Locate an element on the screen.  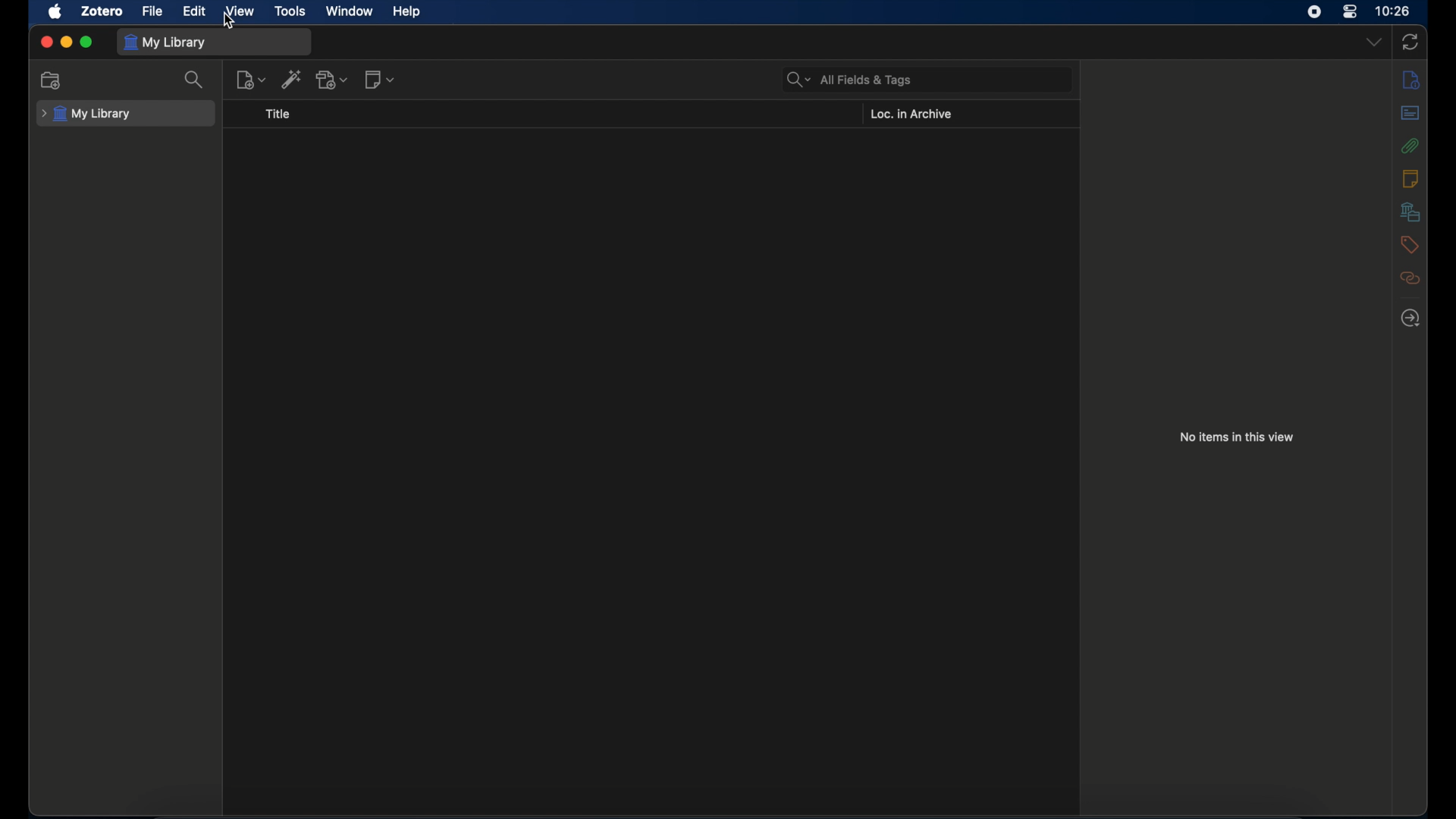
no items in this view is located at coordinates (1238, 437).